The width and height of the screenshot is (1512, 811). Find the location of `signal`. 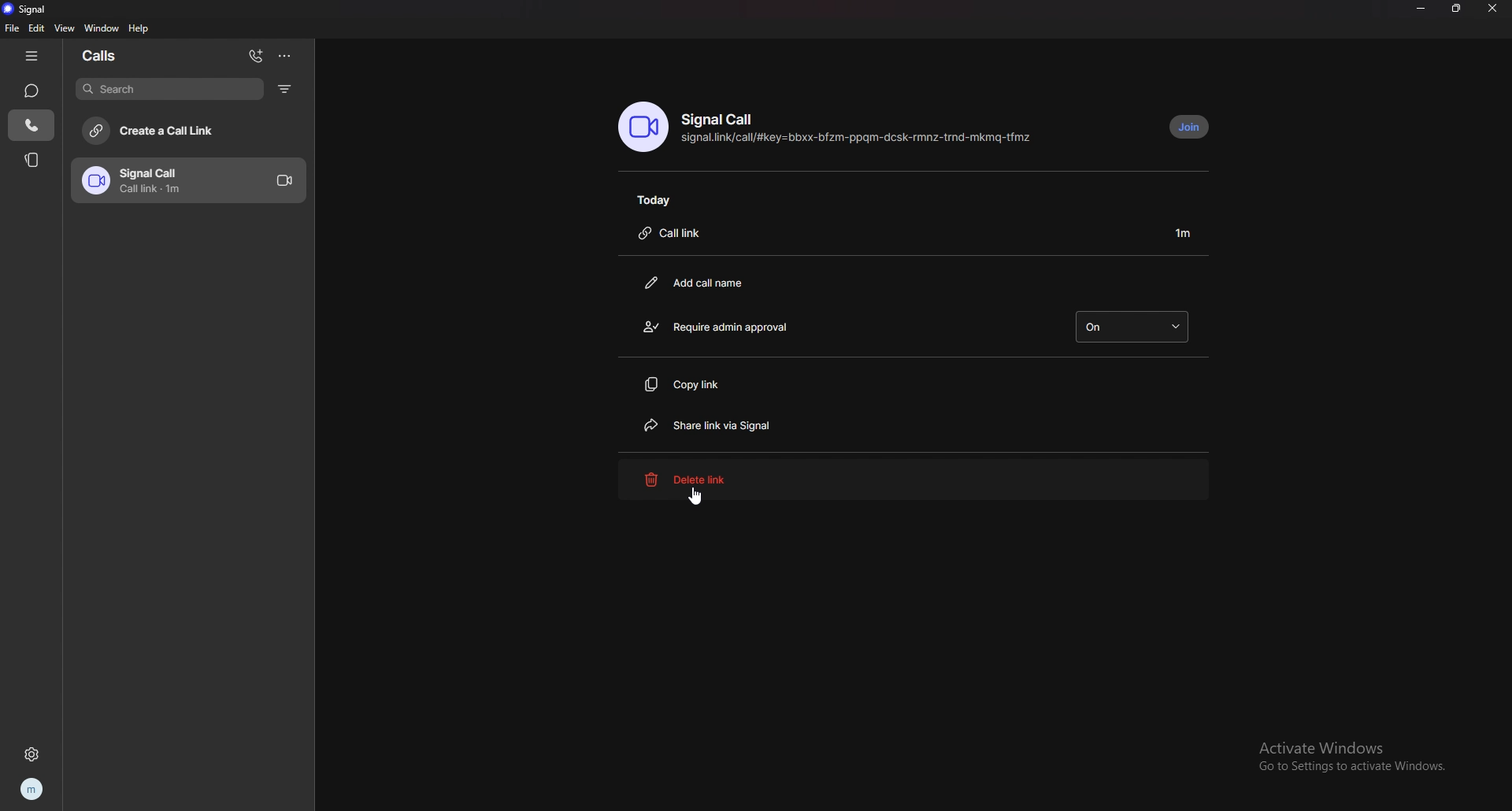

signal is located at coordinates (39, 9).